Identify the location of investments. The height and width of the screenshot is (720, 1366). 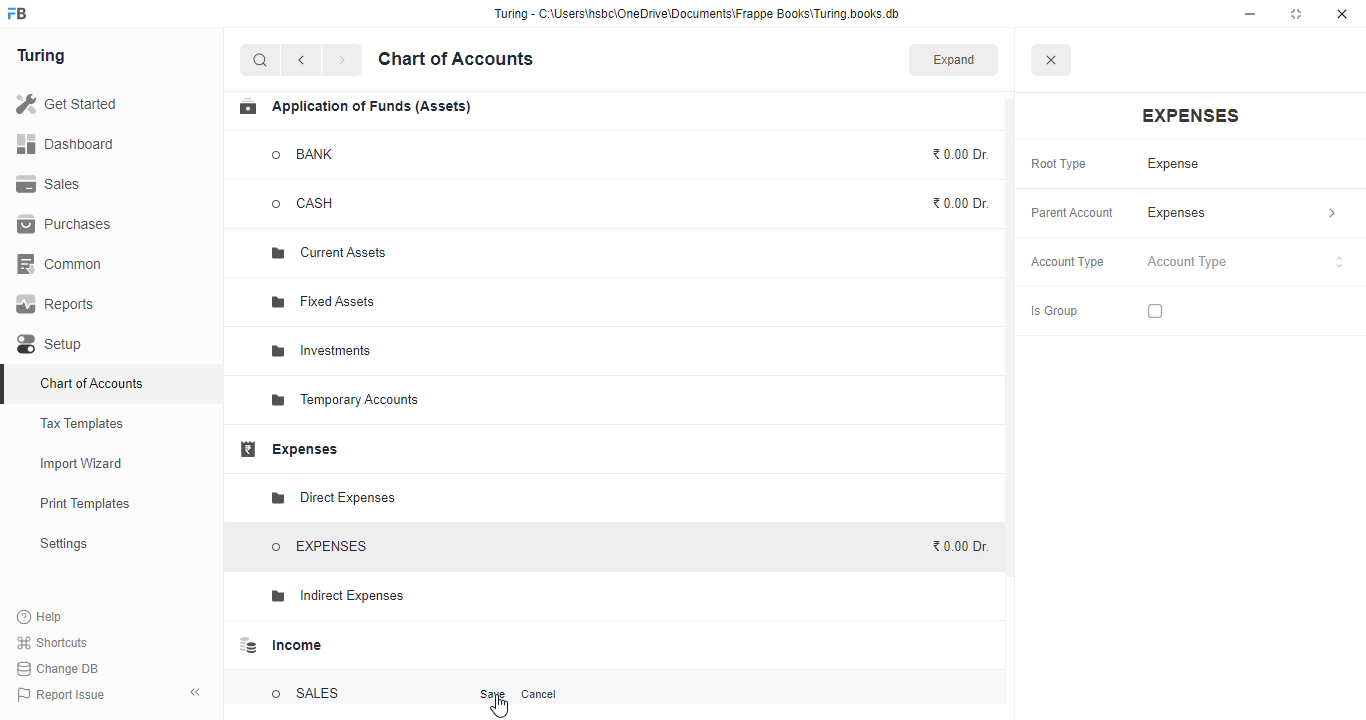
(321, 351).